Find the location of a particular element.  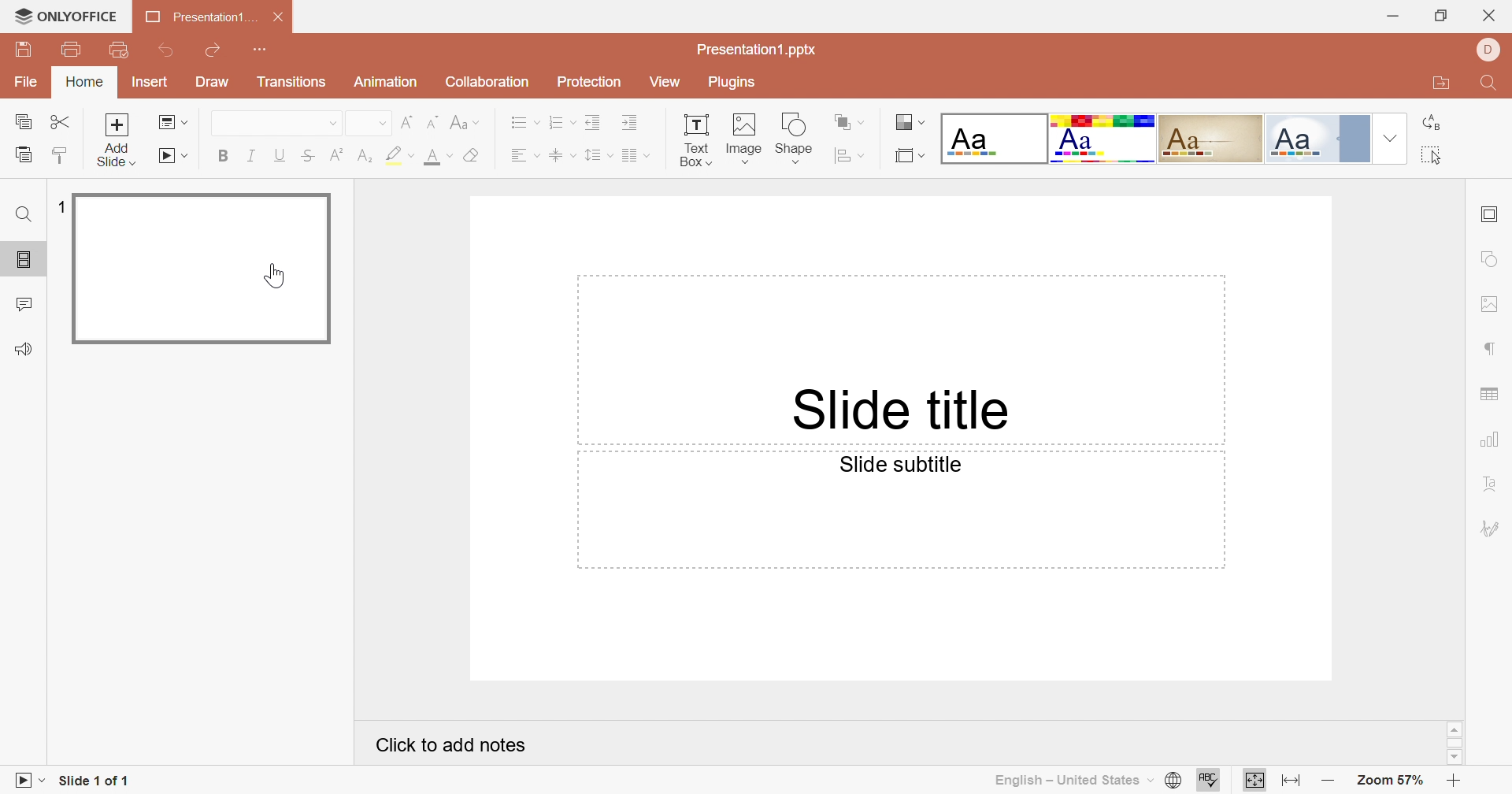

Shape settings is located at coordinates (1489, 258).